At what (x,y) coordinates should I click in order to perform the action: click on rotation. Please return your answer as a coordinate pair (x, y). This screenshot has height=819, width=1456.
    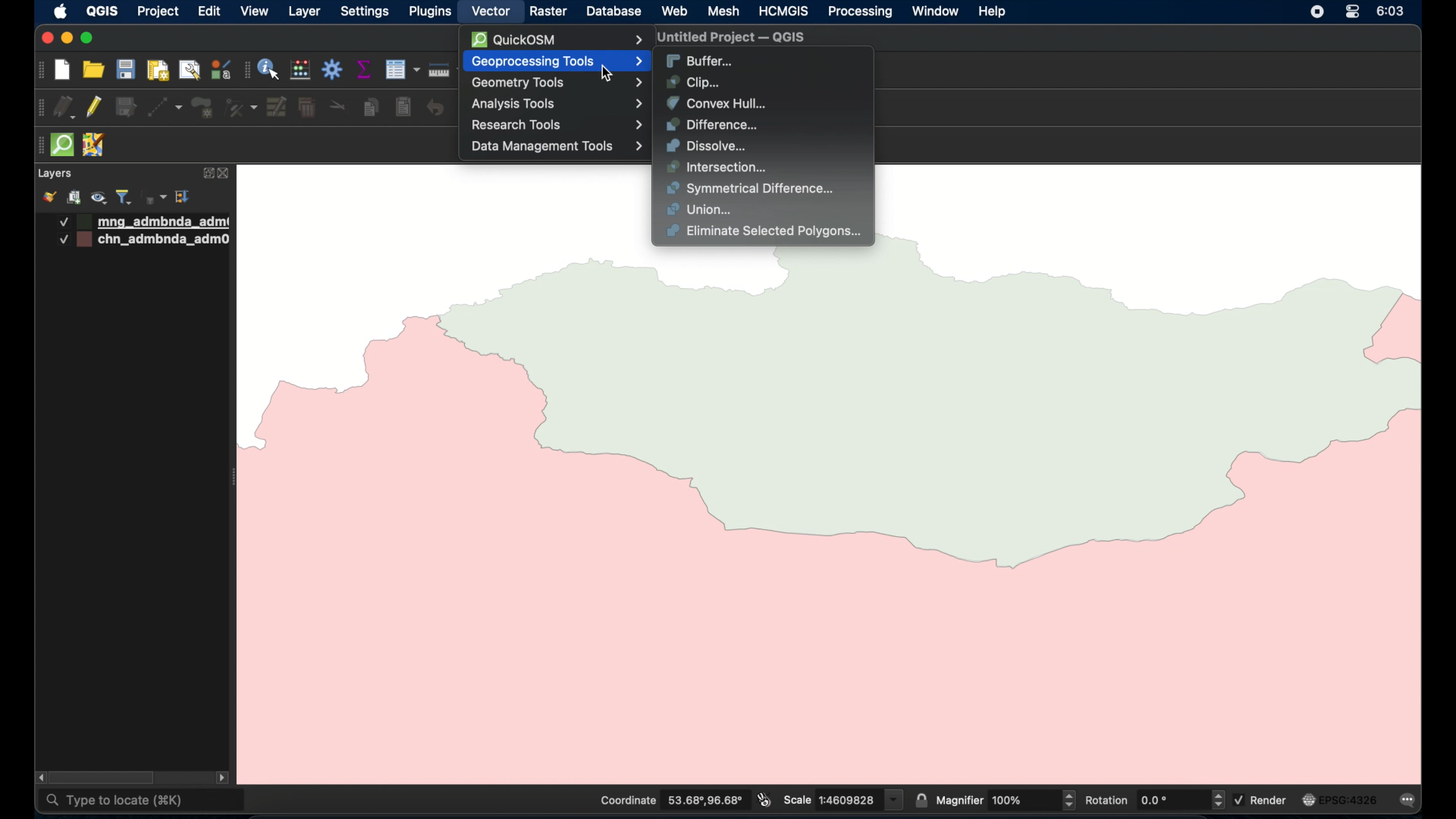
    Looking at the image, I should click on (1153, 799).